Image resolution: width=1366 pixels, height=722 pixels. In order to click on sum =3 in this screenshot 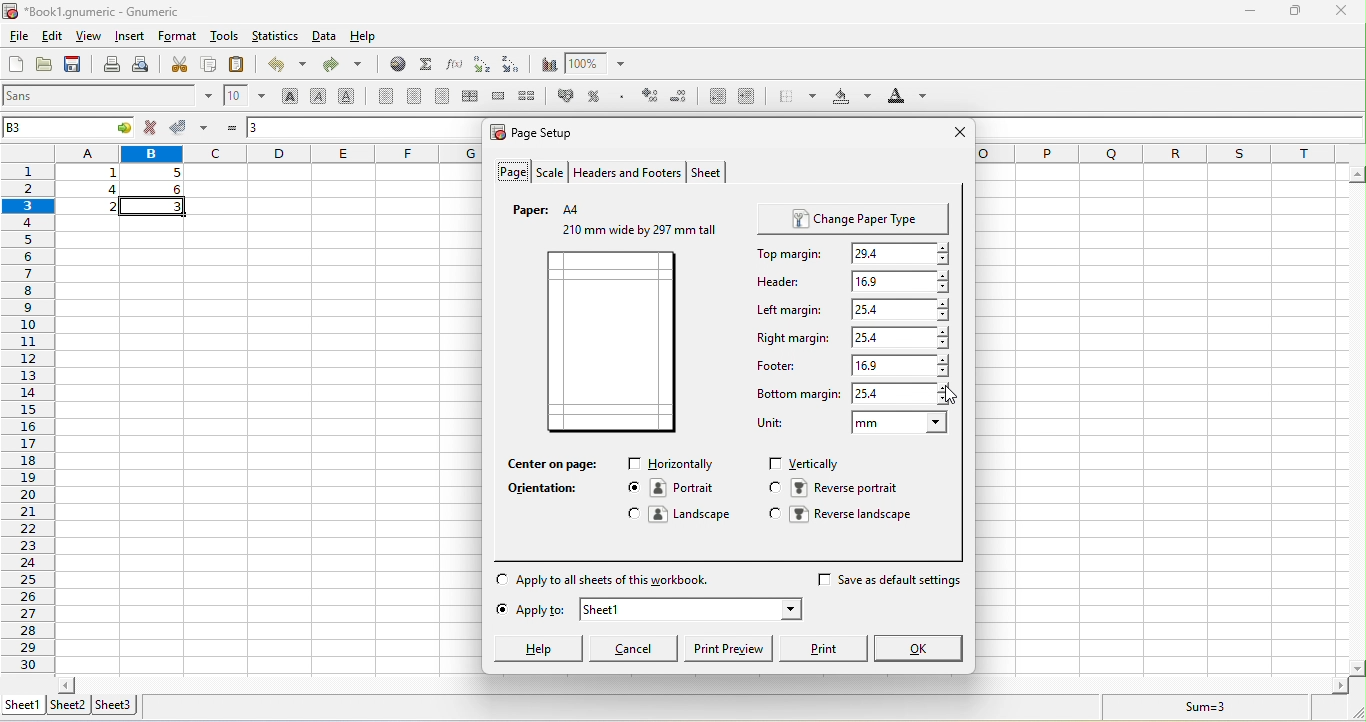, I will do `click(1196, 707)`.